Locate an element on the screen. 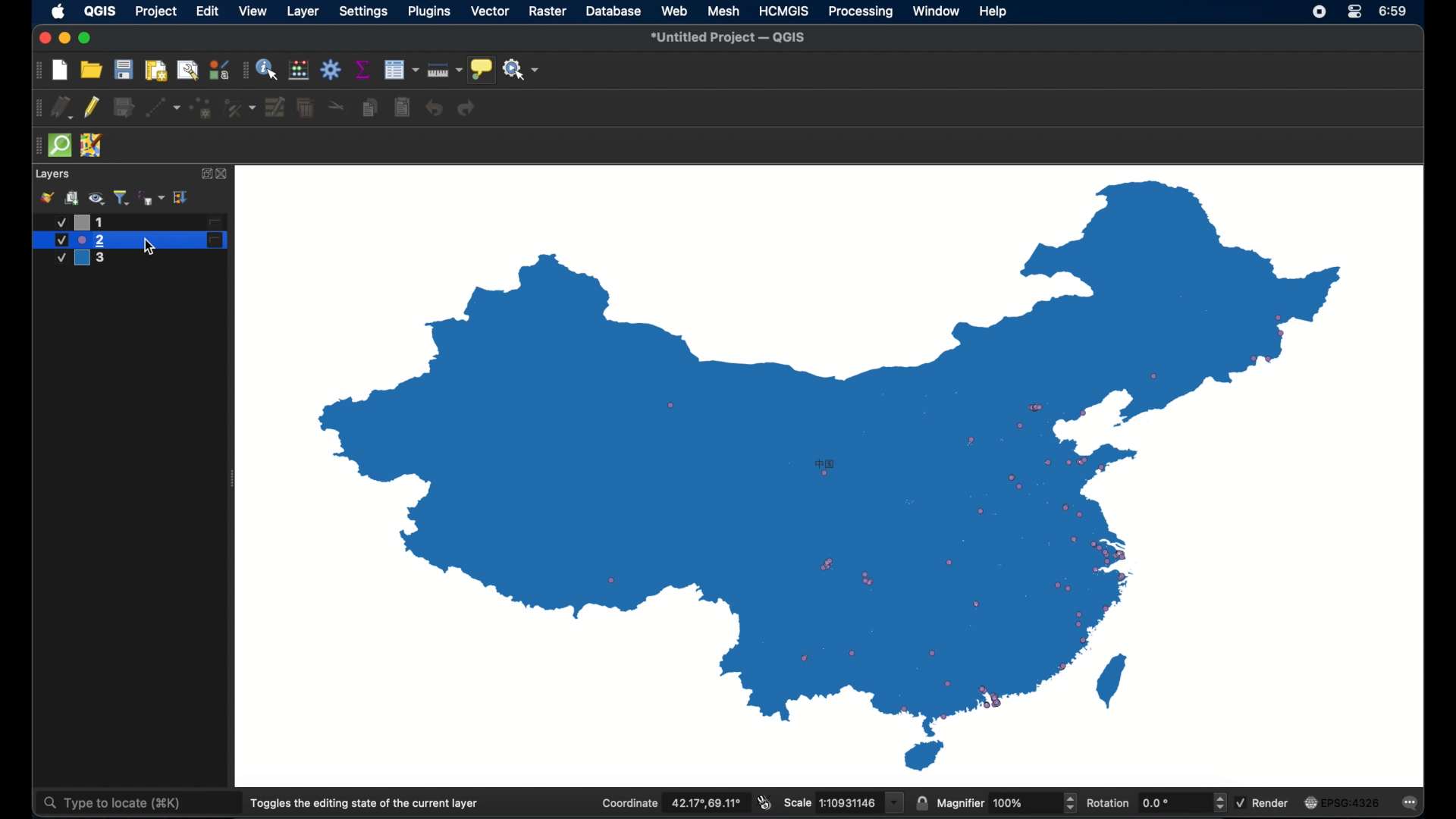 Image resolution: width=1456 pixels, height=819 pixels. styling panel is located at coordinates (46, 197).